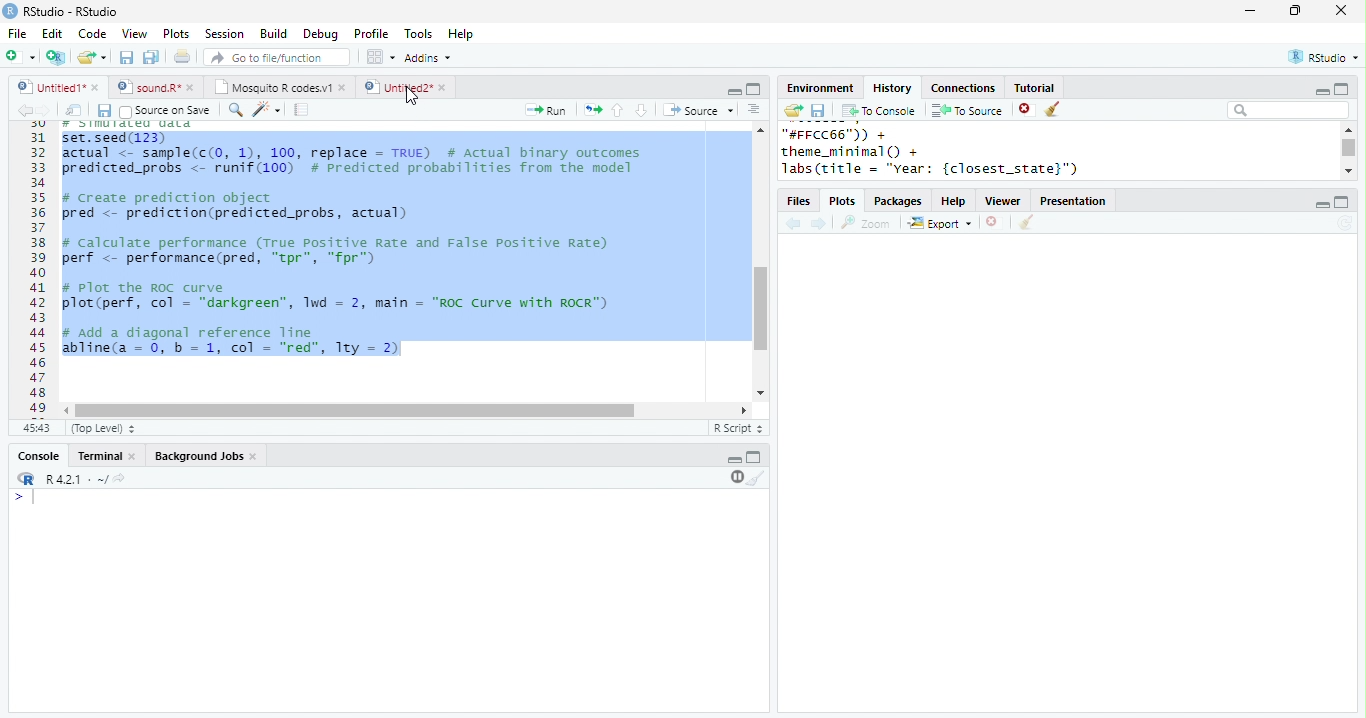 The image size is (1366, 718). I want to click on back, so click(793, 225).